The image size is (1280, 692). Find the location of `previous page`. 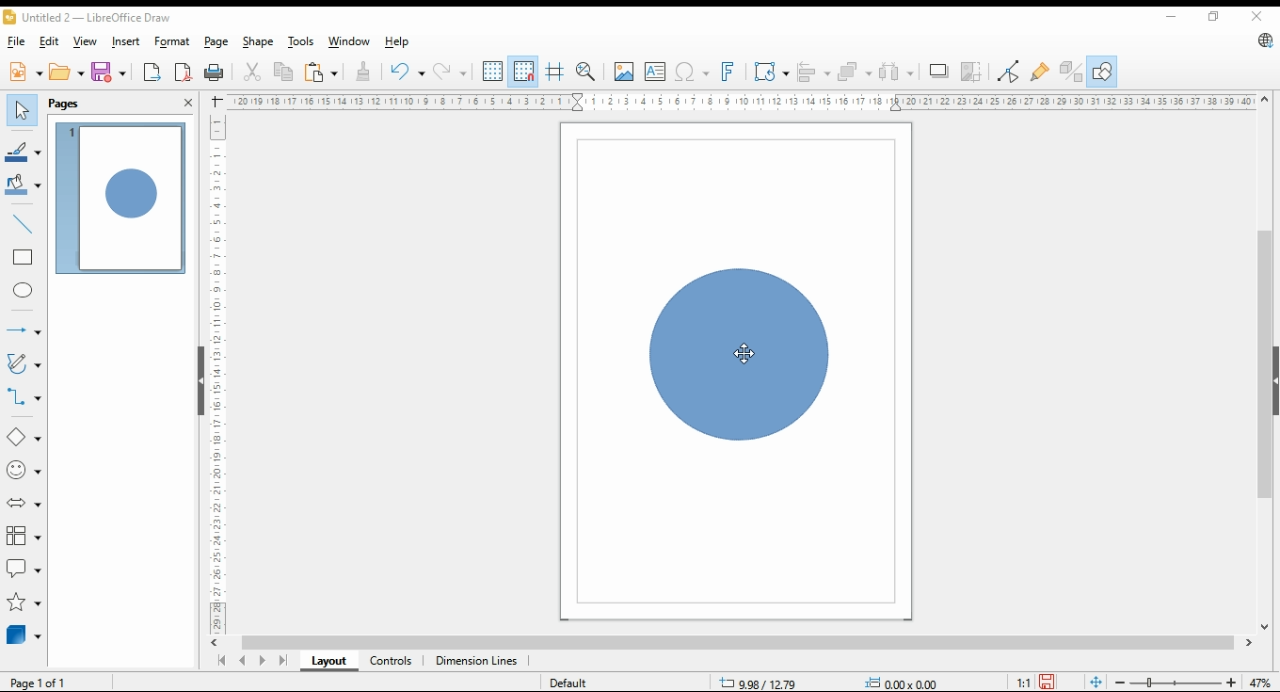

previous page is located at coordinates (243, 660).